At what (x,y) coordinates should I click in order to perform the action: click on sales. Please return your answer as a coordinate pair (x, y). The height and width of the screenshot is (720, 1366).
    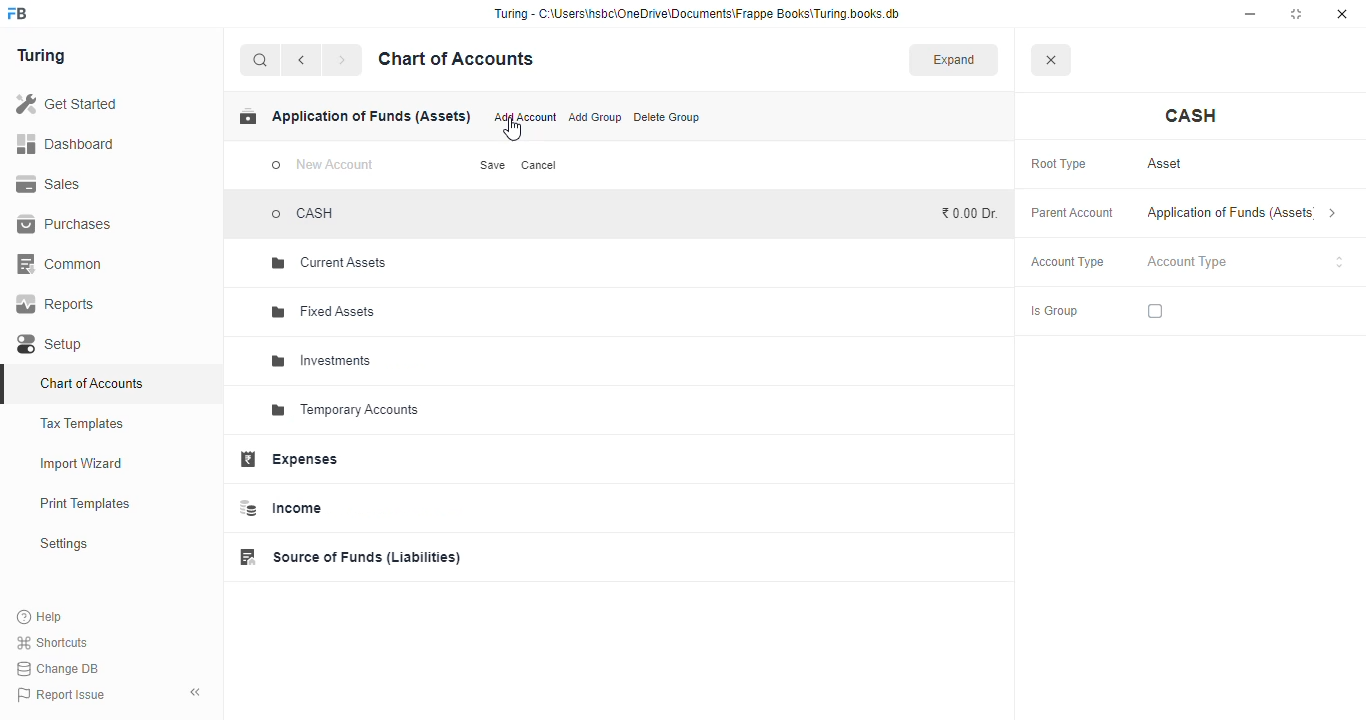
    Looking at the image, I should click on (49, 184).